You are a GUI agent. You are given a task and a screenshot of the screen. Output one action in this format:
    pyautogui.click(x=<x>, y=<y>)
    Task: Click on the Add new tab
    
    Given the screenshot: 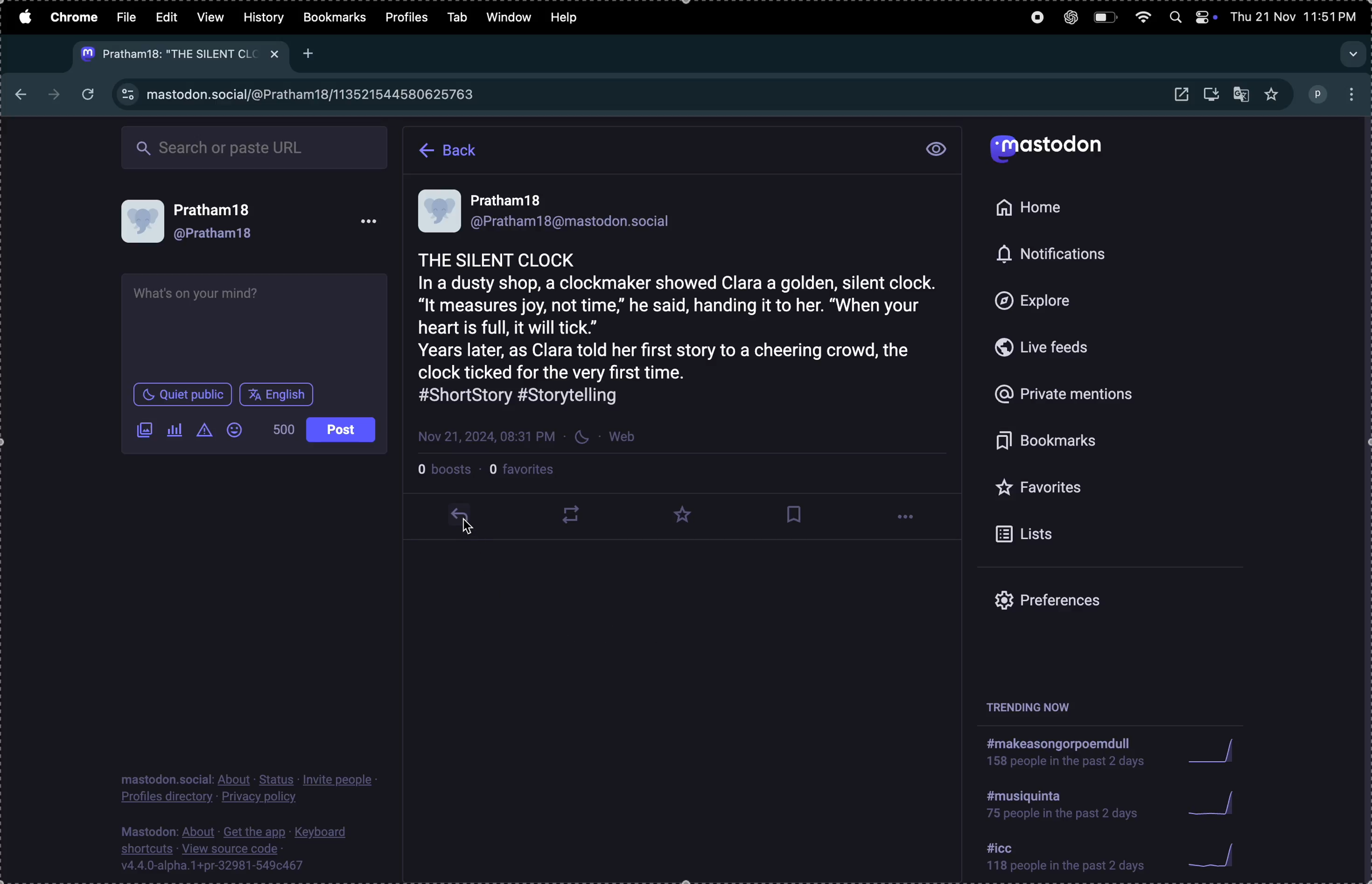 What is the action you would take?
    pyautogui.click(x=311, y=53)
    